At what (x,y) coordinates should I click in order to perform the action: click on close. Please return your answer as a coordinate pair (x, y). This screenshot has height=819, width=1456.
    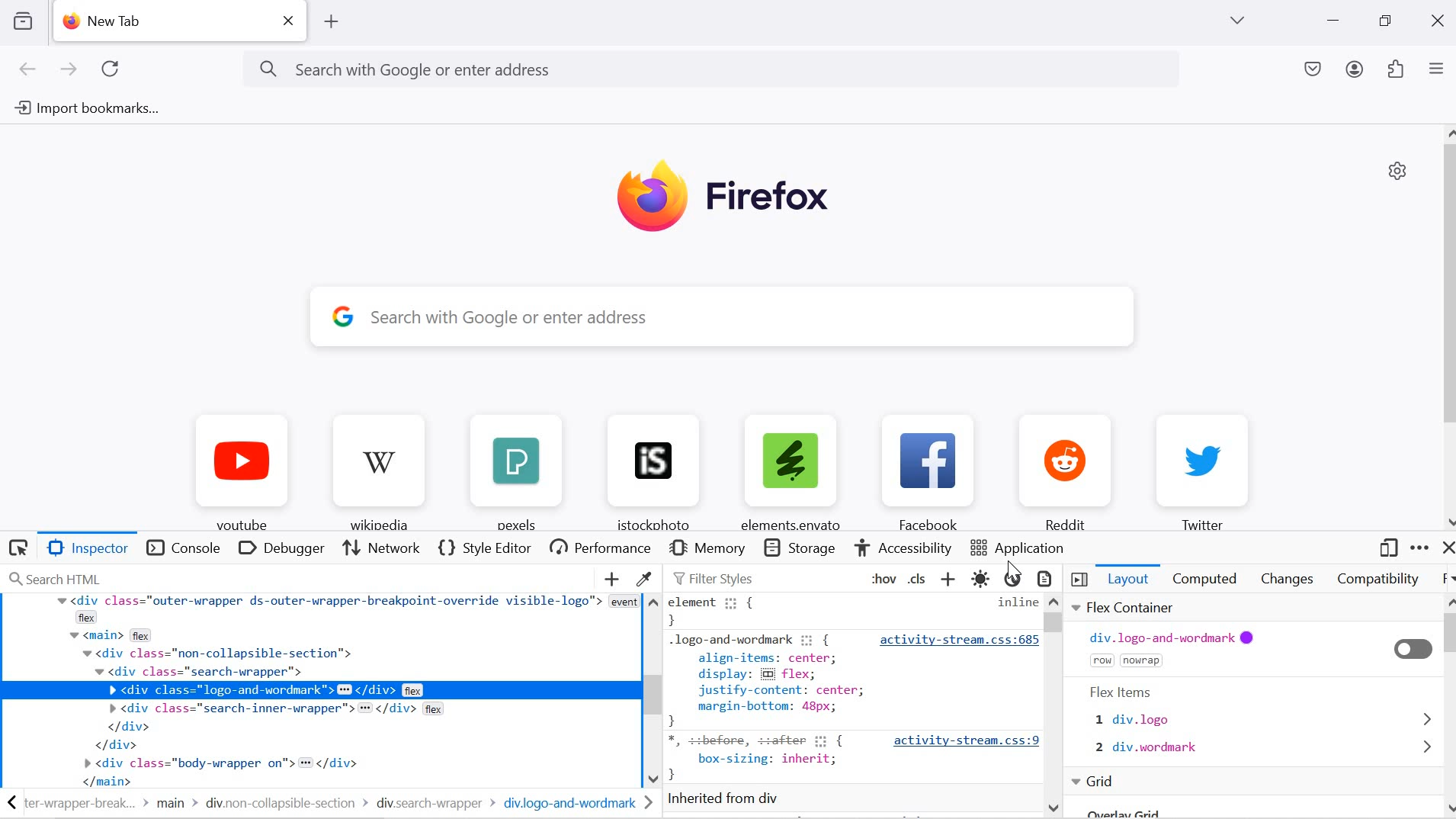
    Looking at the image, I should click on (1436, 21).